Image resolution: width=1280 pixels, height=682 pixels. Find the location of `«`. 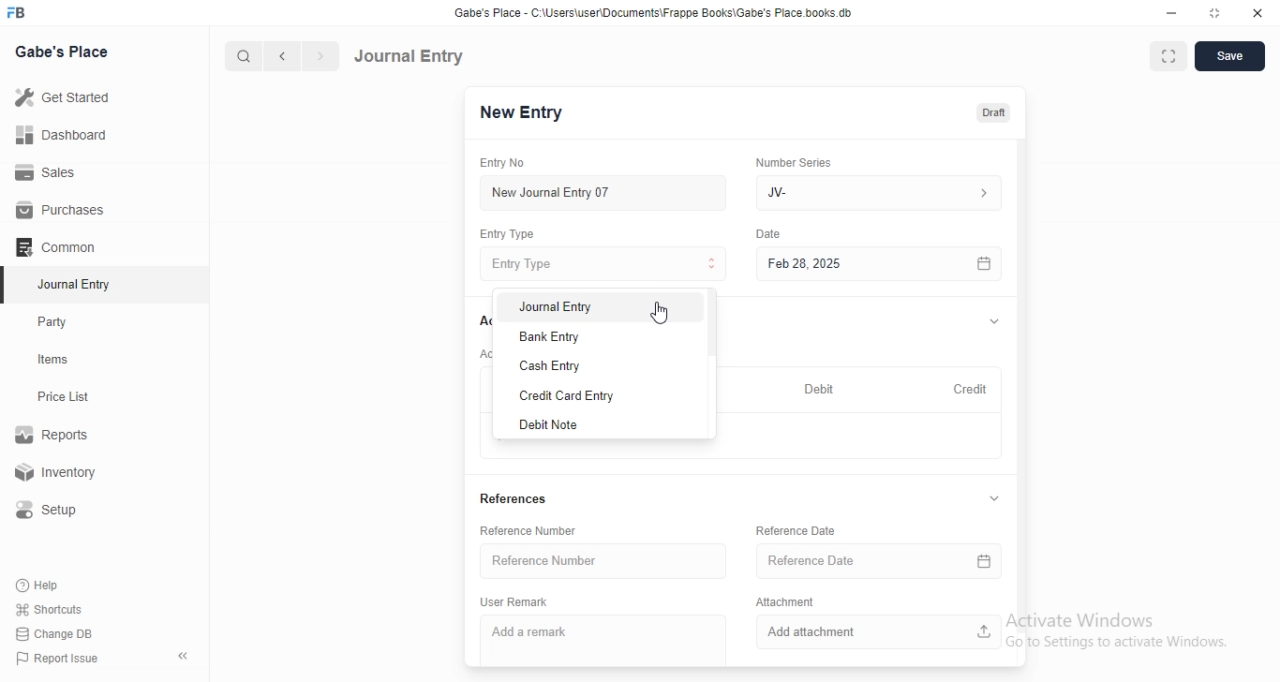

« is located at coordinates (185, 657).